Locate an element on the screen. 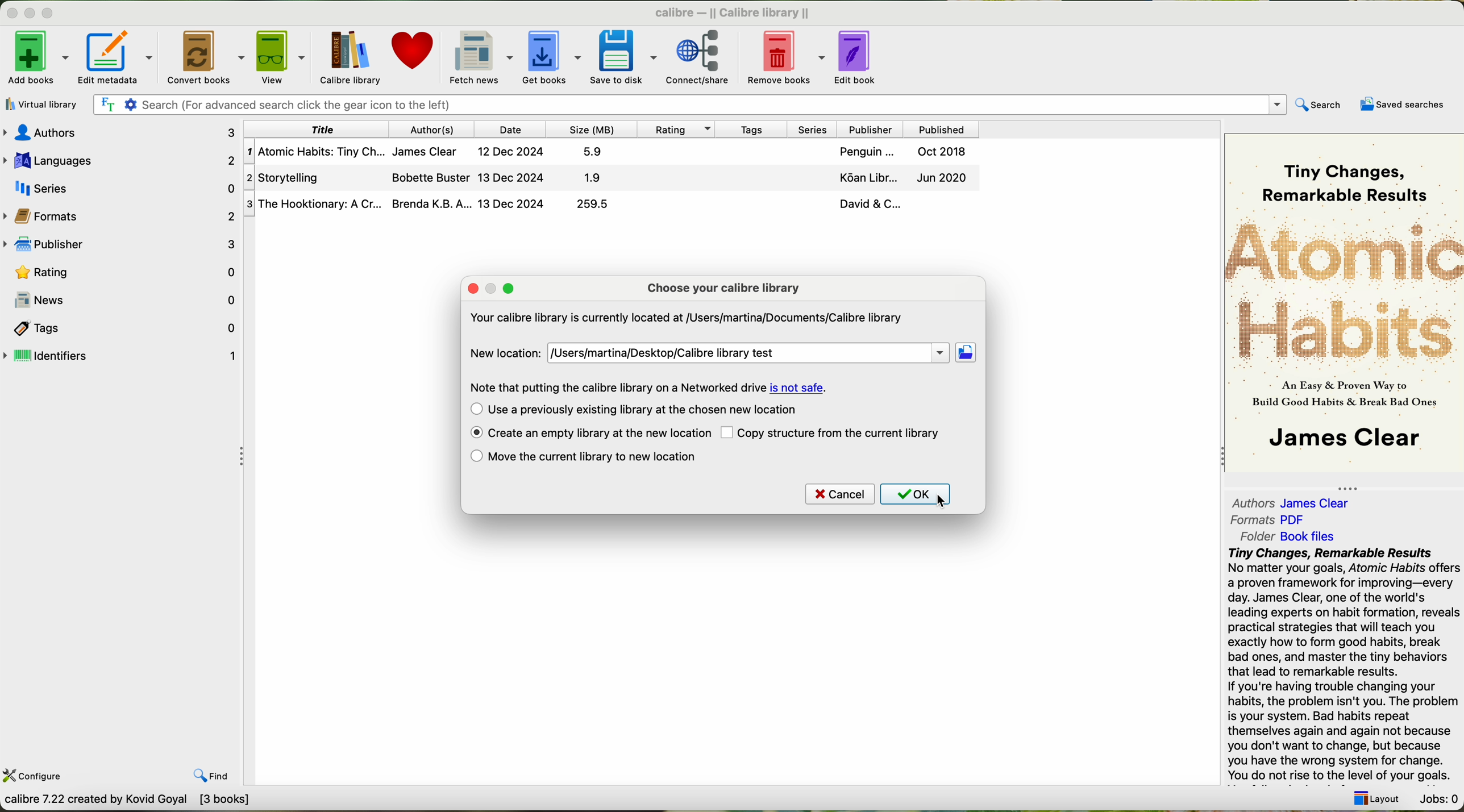  publisher is located at coordinates (868, 129).